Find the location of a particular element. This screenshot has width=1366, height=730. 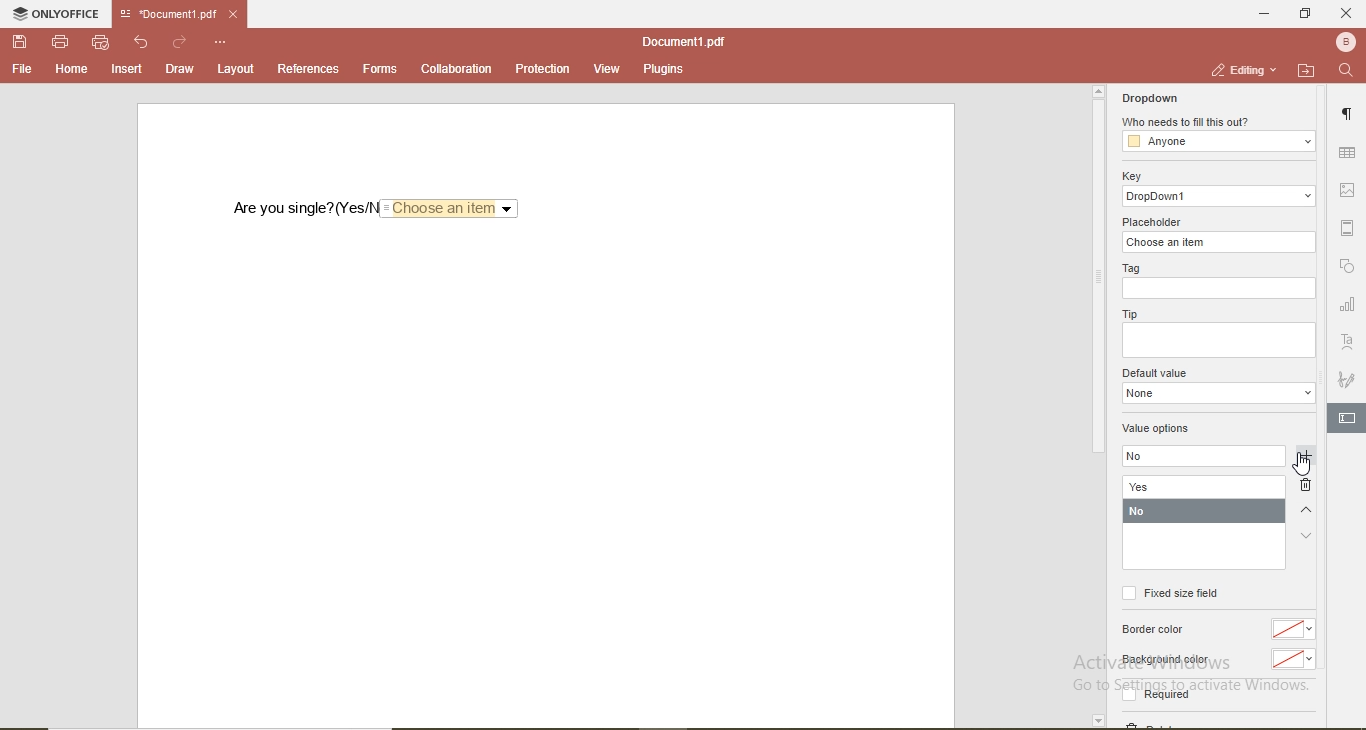

onlyoffice is located at coordinates (61, 13).